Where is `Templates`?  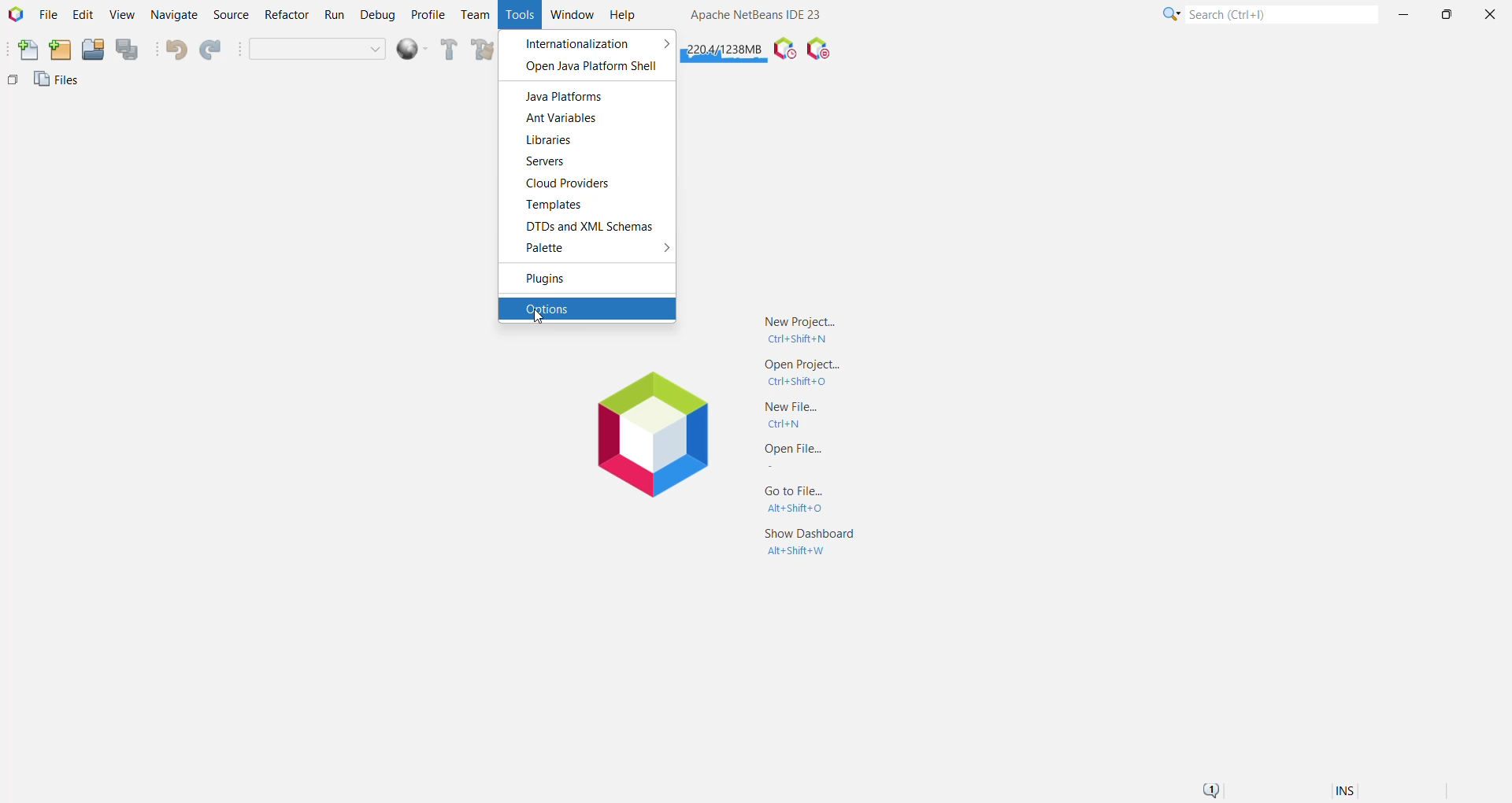
Templates is located at coordinates (561, 206).